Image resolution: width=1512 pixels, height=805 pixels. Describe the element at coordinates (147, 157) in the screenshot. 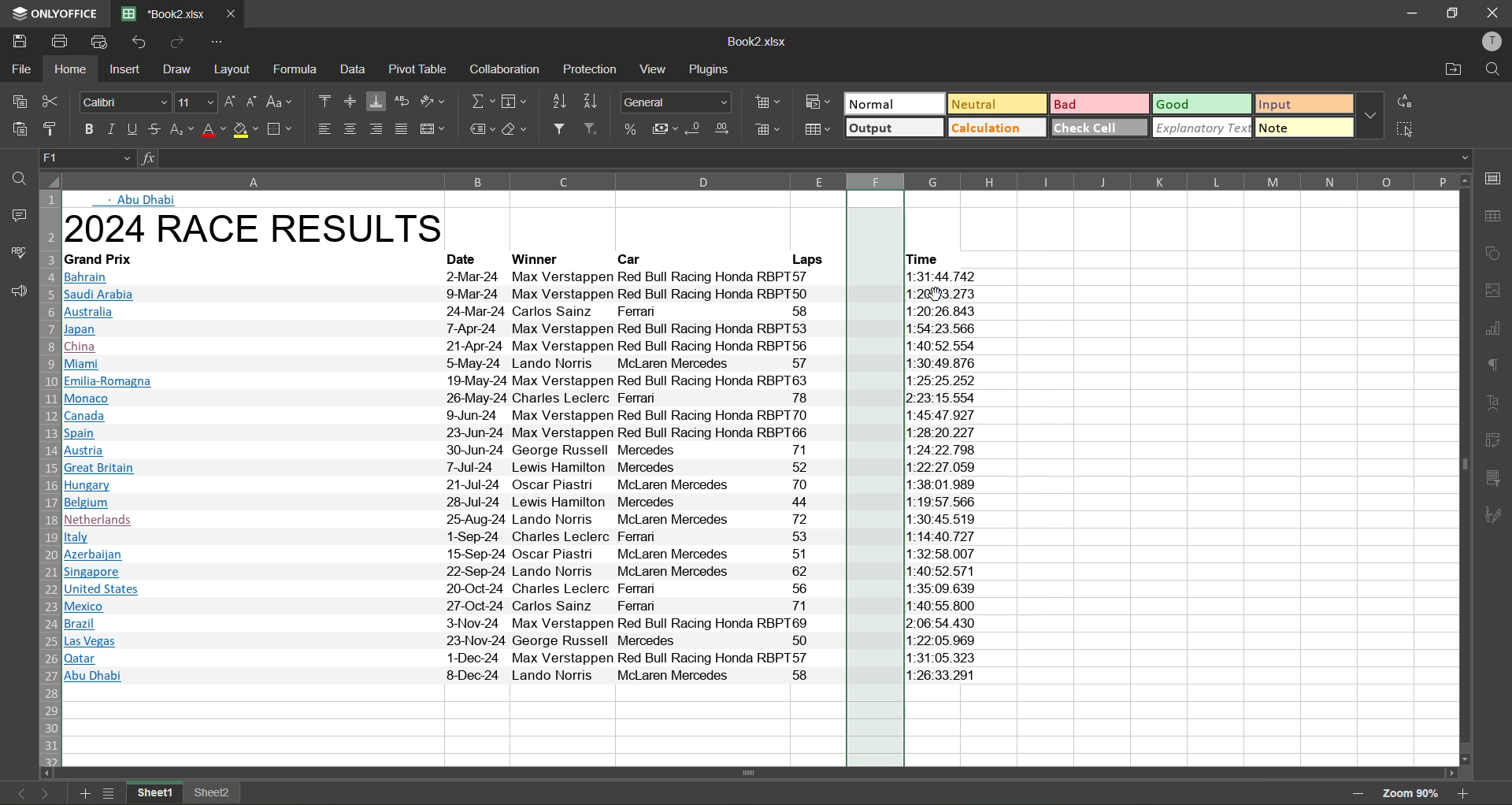

I see `formula input` at that location.